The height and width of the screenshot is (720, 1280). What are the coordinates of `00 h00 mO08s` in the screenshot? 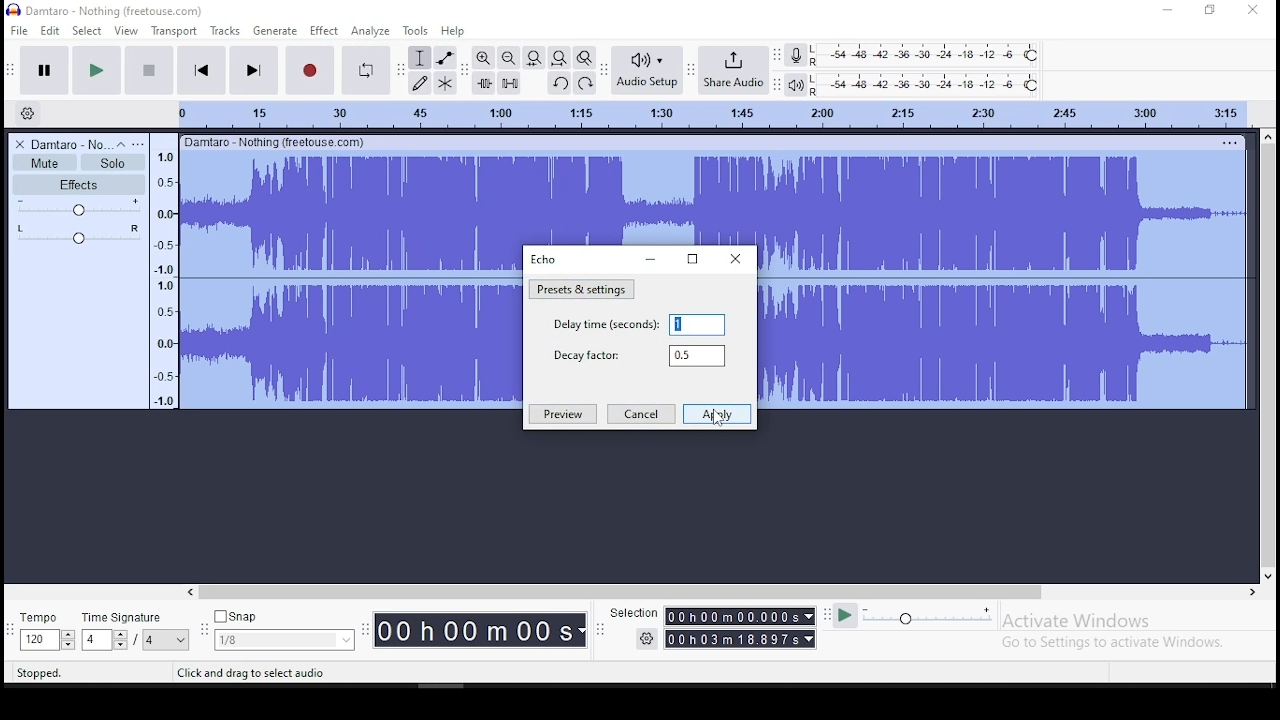 It's located at (473, 631).